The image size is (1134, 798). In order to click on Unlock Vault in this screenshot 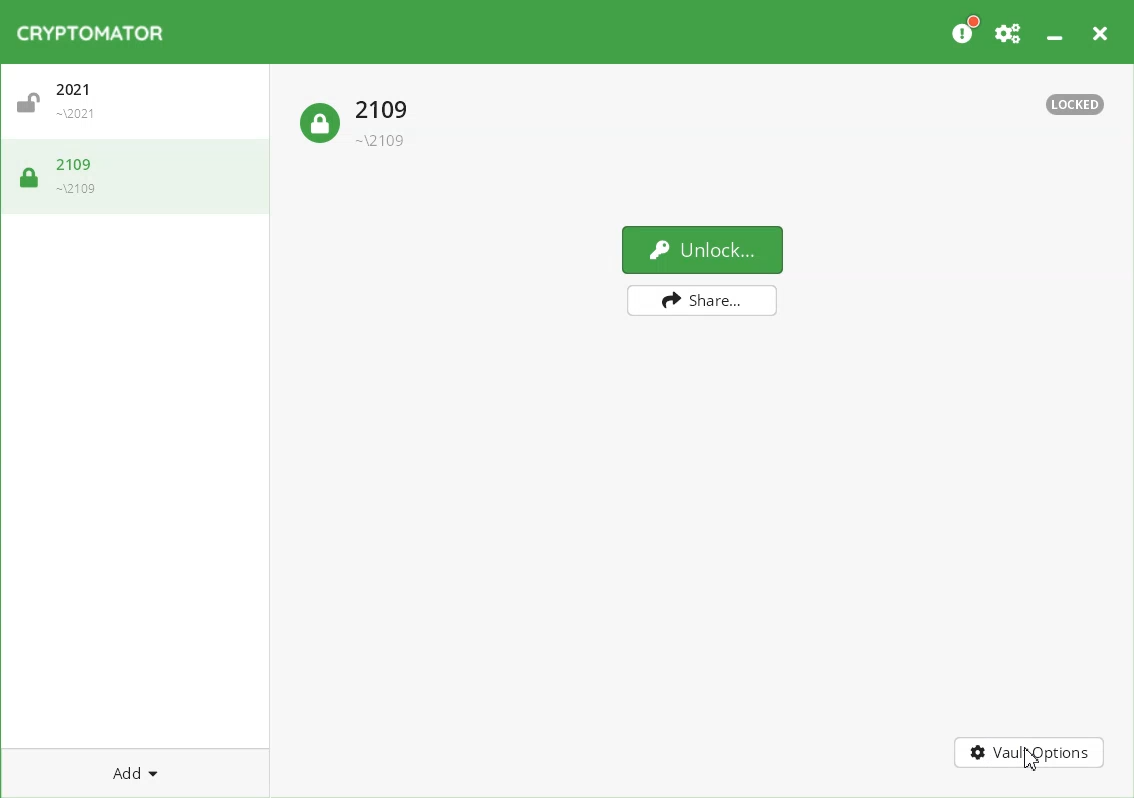, I will do `click(140, 106)`.